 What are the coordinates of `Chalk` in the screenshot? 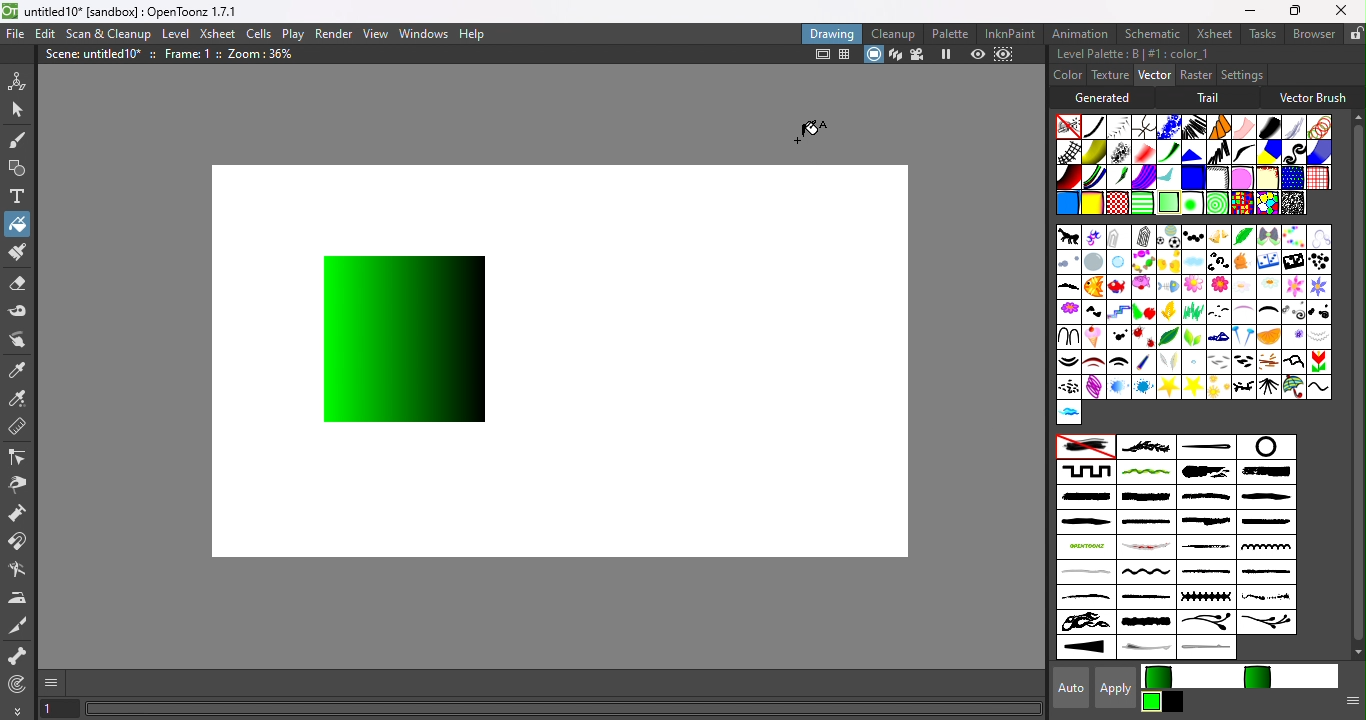 It's located at (1119, 152).